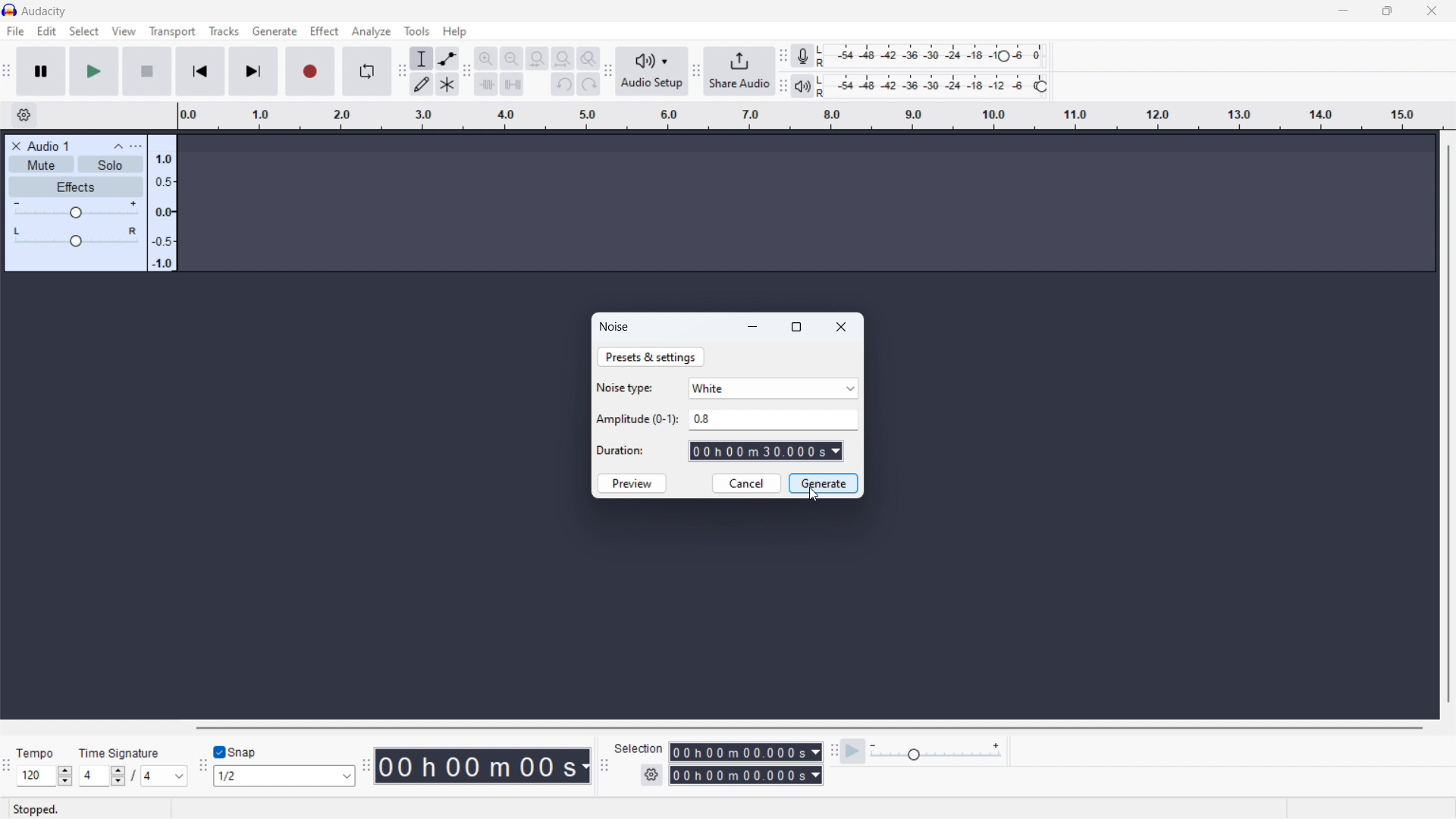 The height and width of the screenshot is (819, 1456). What do you see at coordinates (41, 808) in the screenshot?
I see `stopped.` at bounding box center [41, 808].